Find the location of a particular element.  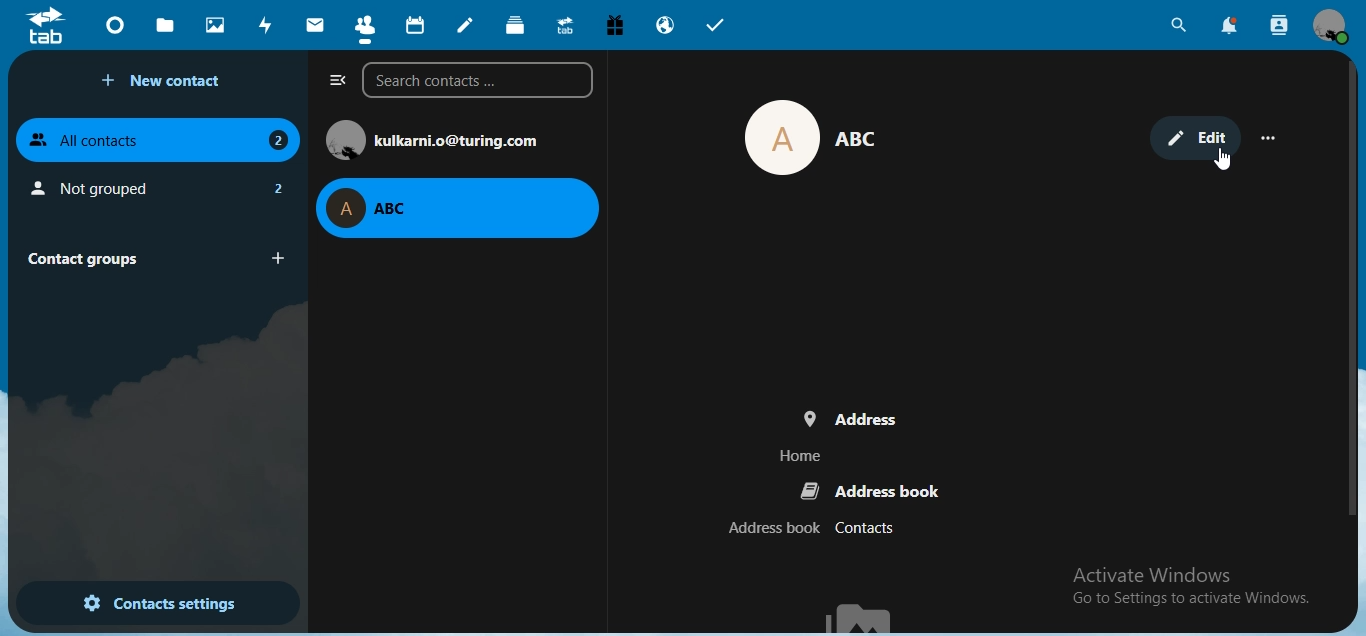

email hosting is located at coordinates (664, 27).